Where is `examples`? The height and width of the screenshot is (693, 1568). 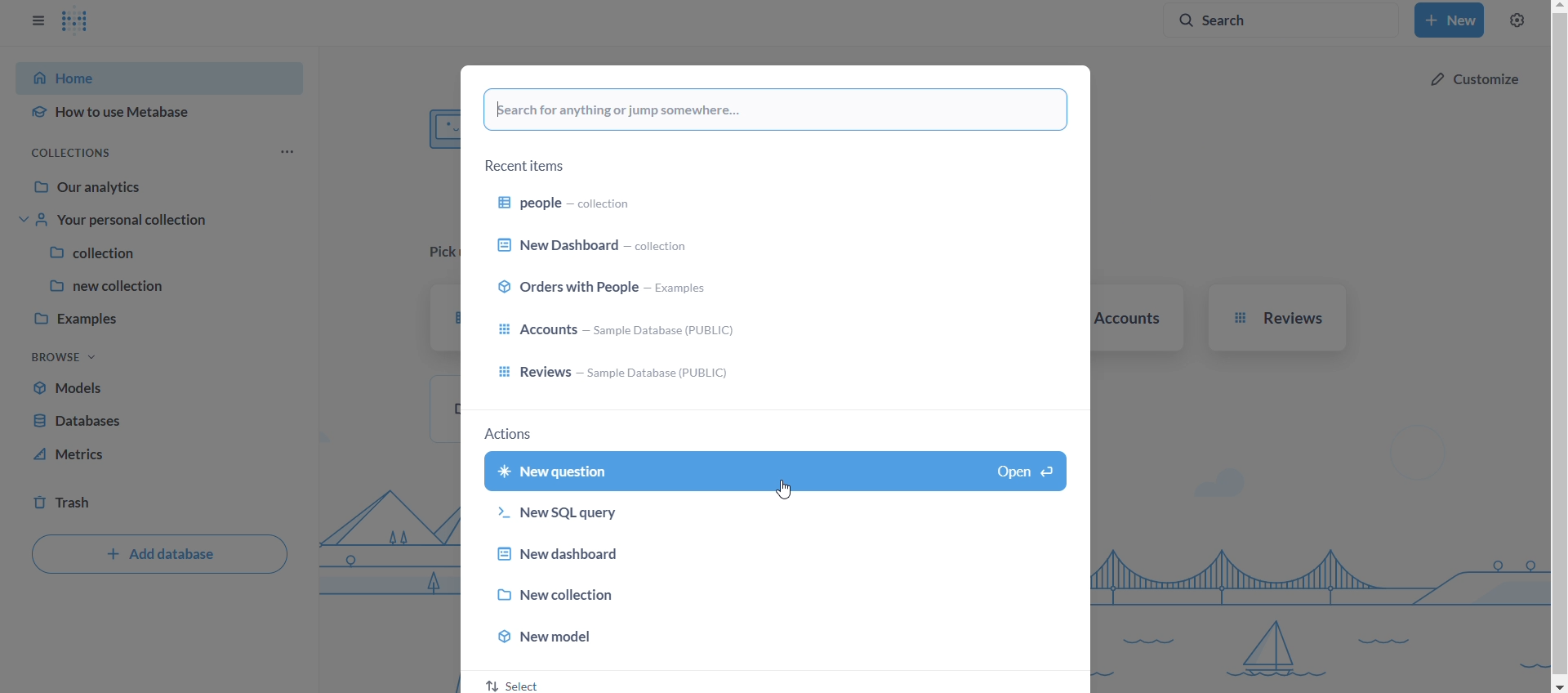
examples is located at coordinates (163, 321).